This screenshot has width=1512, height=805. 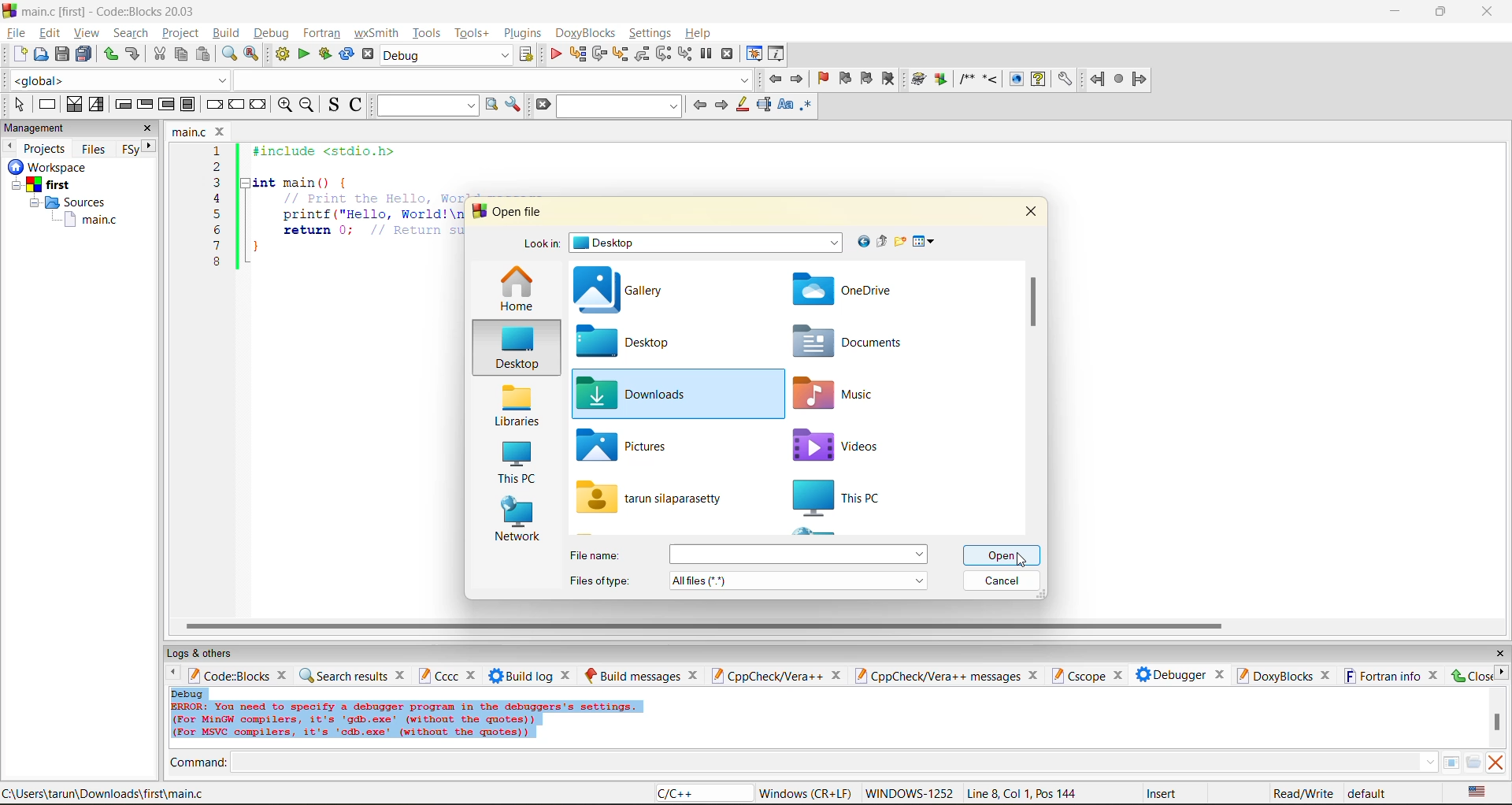 What do you see at coordinates (542, 105) in the screenshot?
I see `clear` at bounding box center [542, 105].